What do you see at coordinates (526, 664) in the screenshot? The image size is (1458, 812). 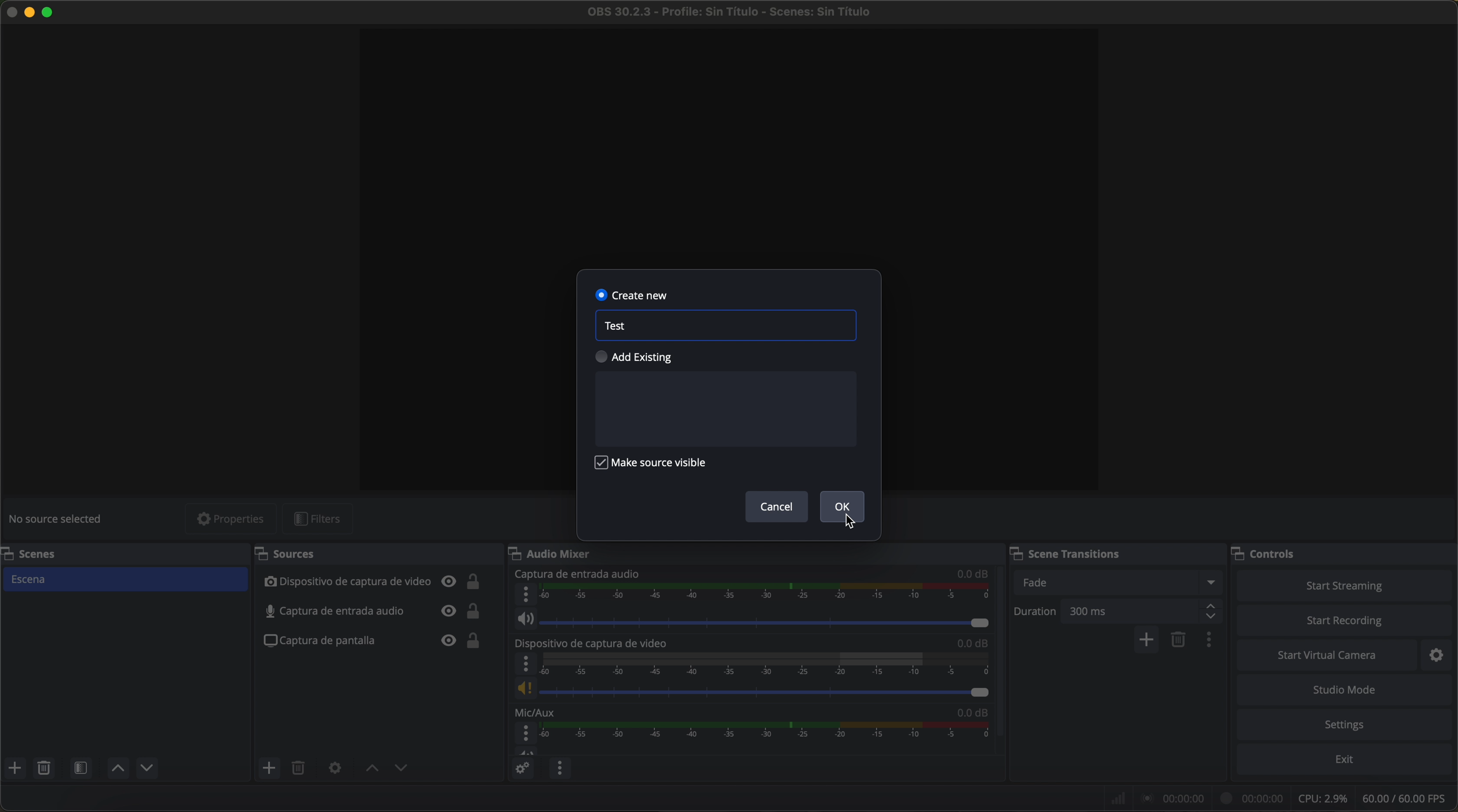 I see `more options` at bounding box center [526, 664].